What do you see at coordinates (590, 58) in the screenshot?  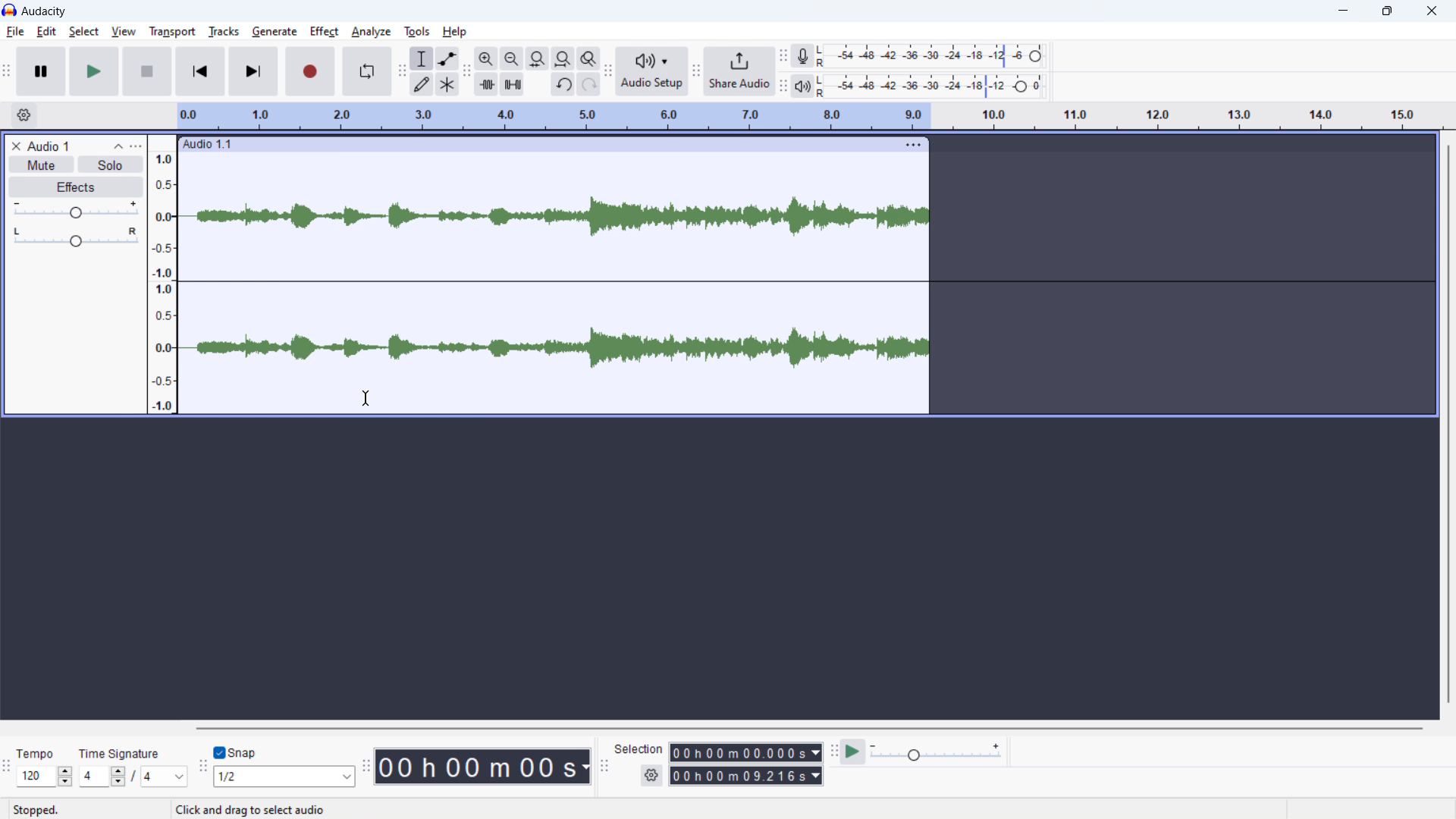 I see `toggle zoom` at bounding box center [590, 58].